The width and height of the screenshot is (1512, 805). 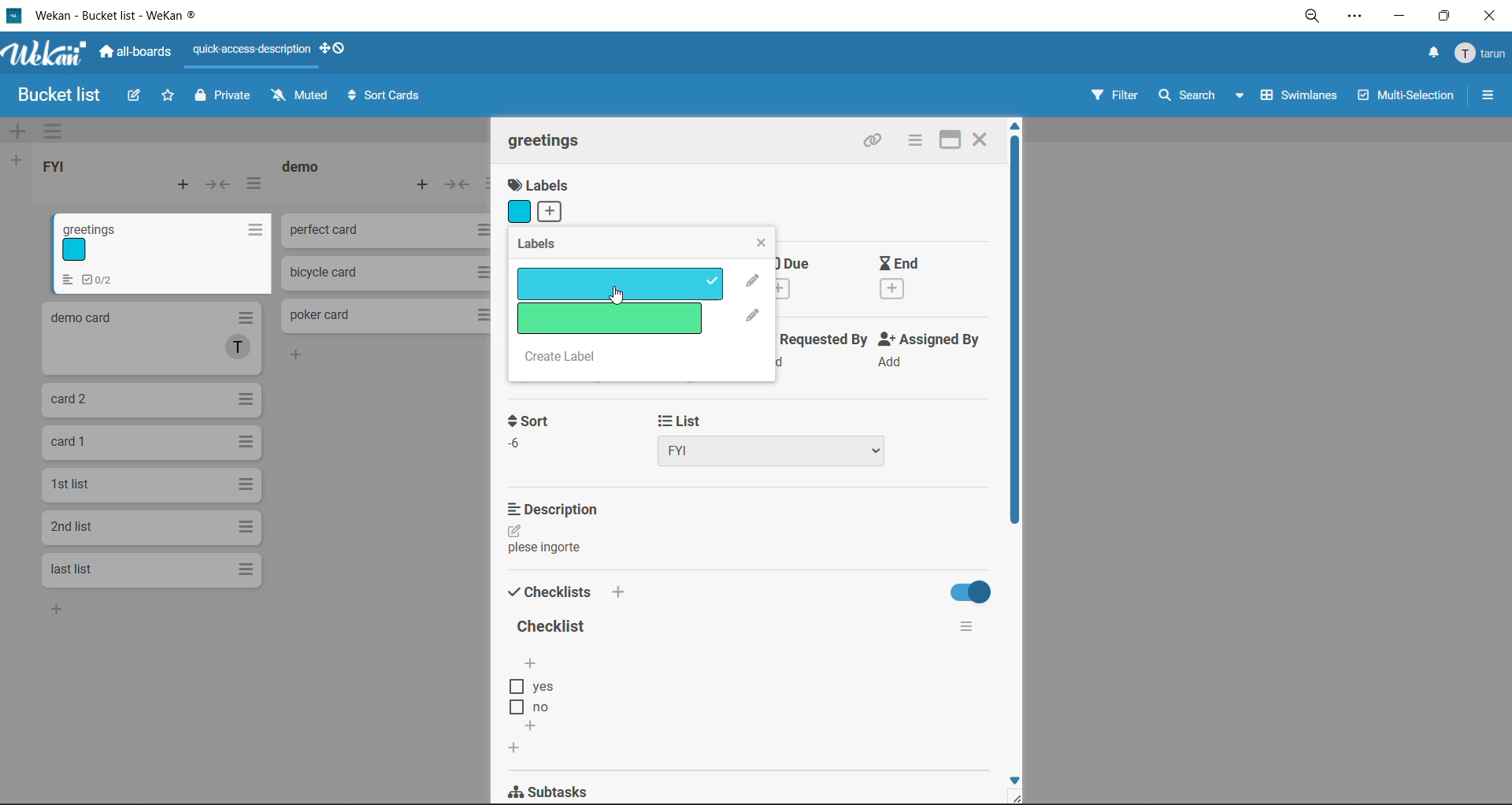 What do you see at coordinates (534, 723) in the screenshot?
I see `add checklist options` at bounding box center [534, 723].